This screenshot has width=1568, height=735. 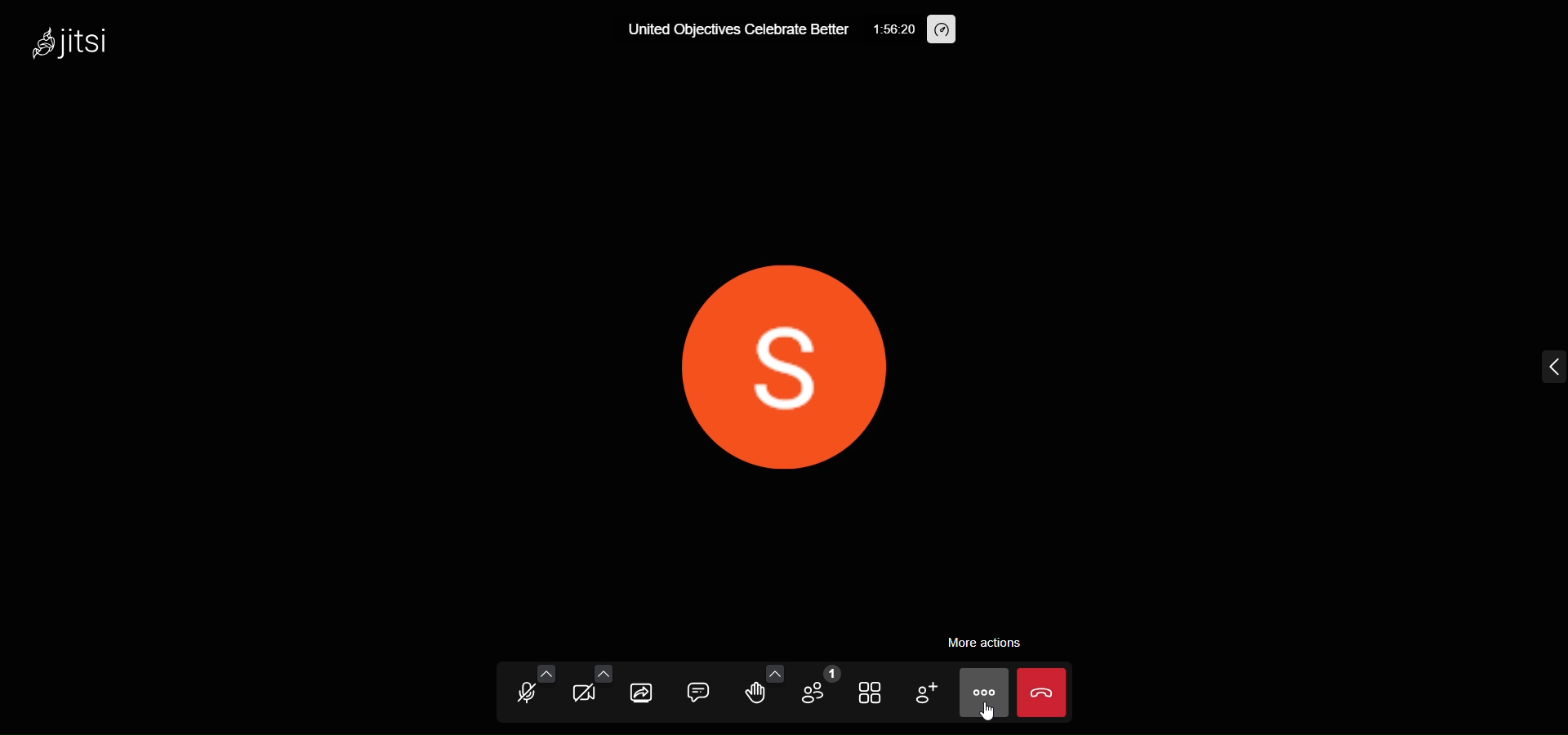 I want to click on share screen, so click(x=643, y=693).